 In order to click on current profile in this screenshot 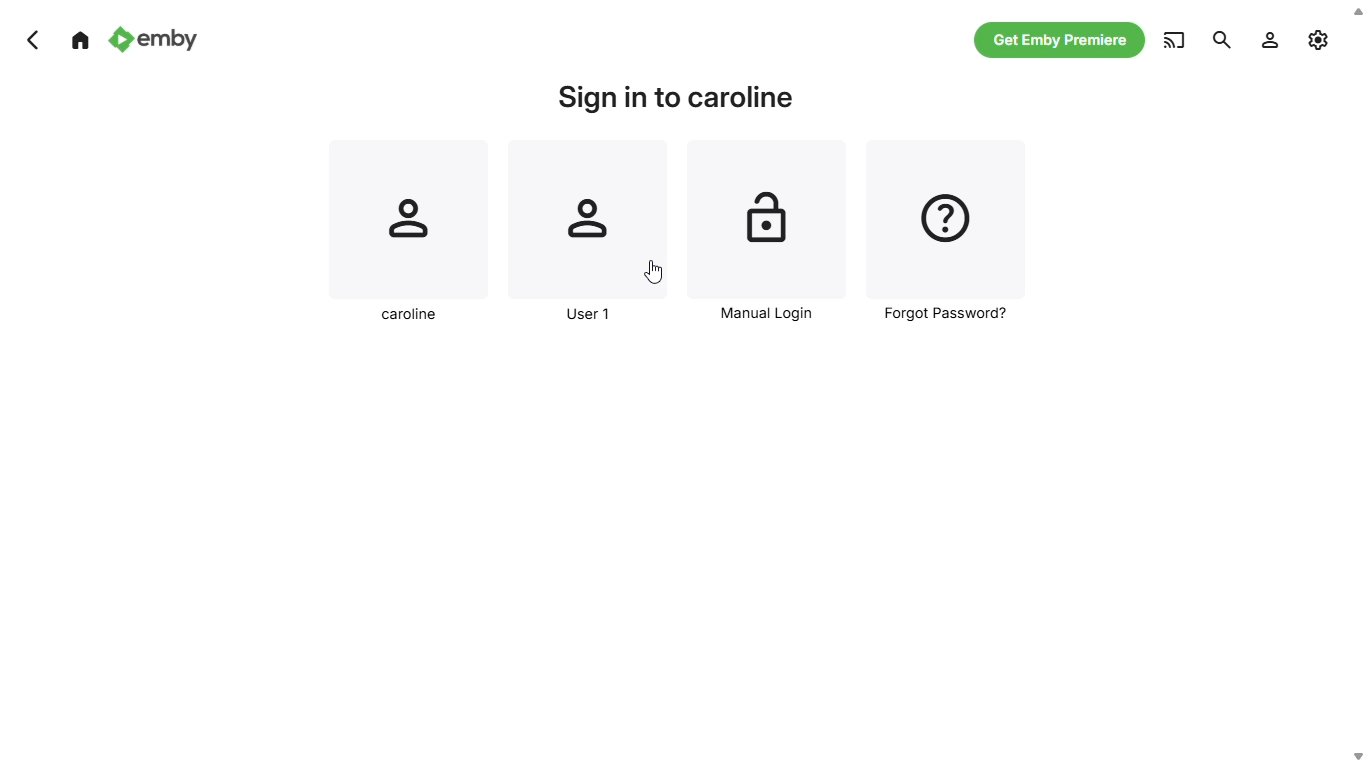, I will do `click(410, 234)`.